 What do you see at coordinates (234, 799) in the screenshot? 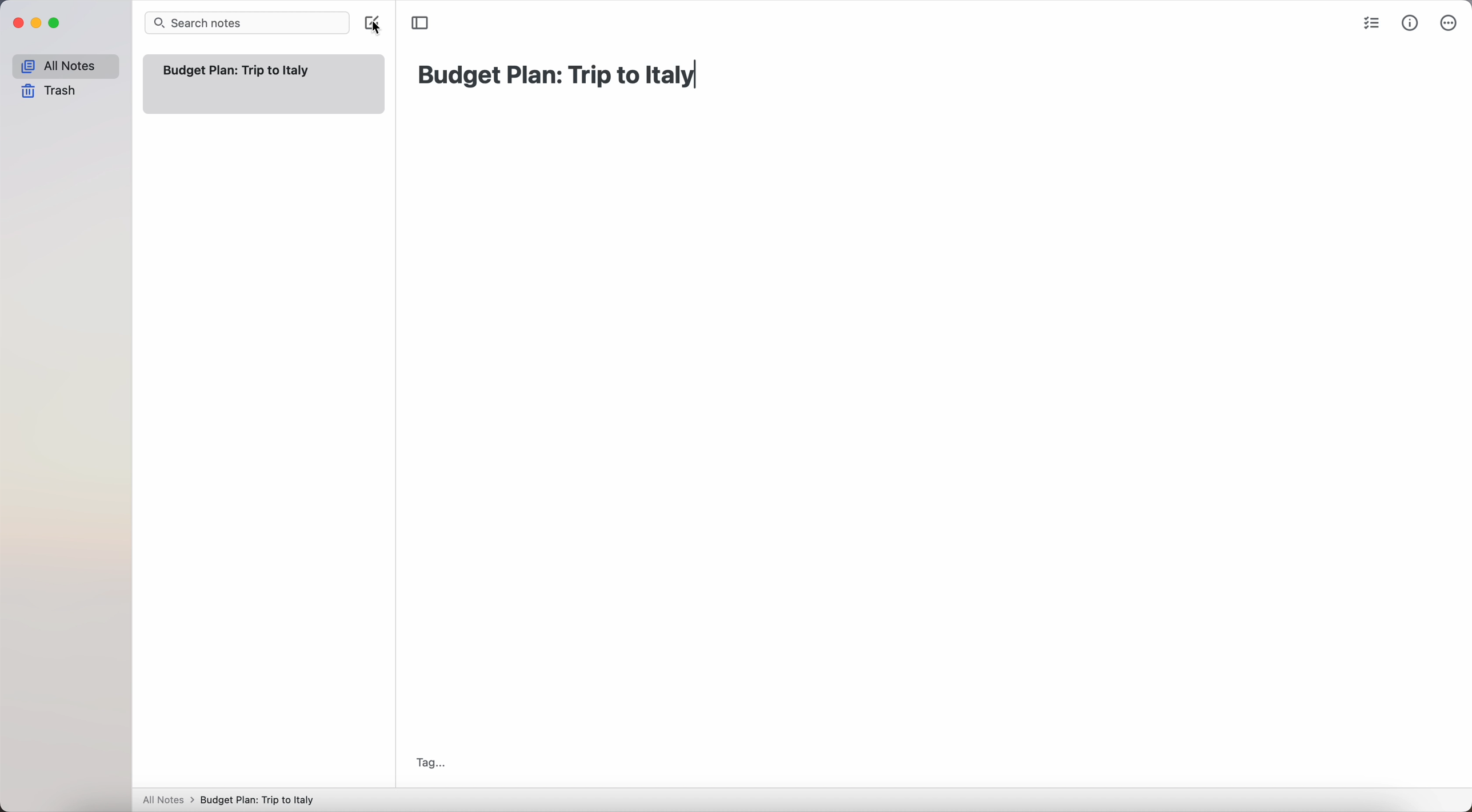
I see `All notes > Budget Plan: Trip to Italy` at bounding box center [234, 799].